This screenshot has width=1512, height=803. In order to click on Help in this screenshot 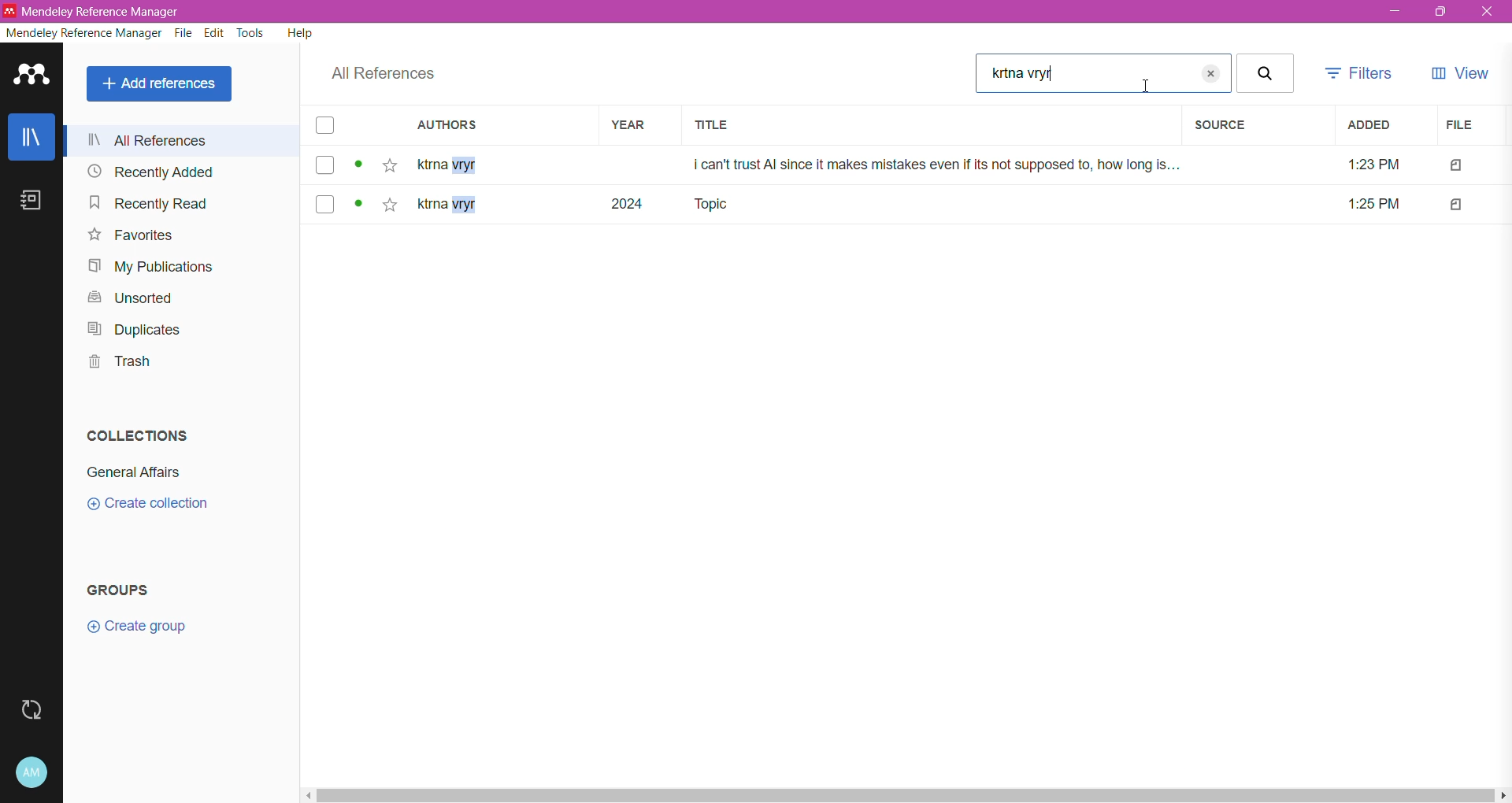, I will do `click(299, 35)`.